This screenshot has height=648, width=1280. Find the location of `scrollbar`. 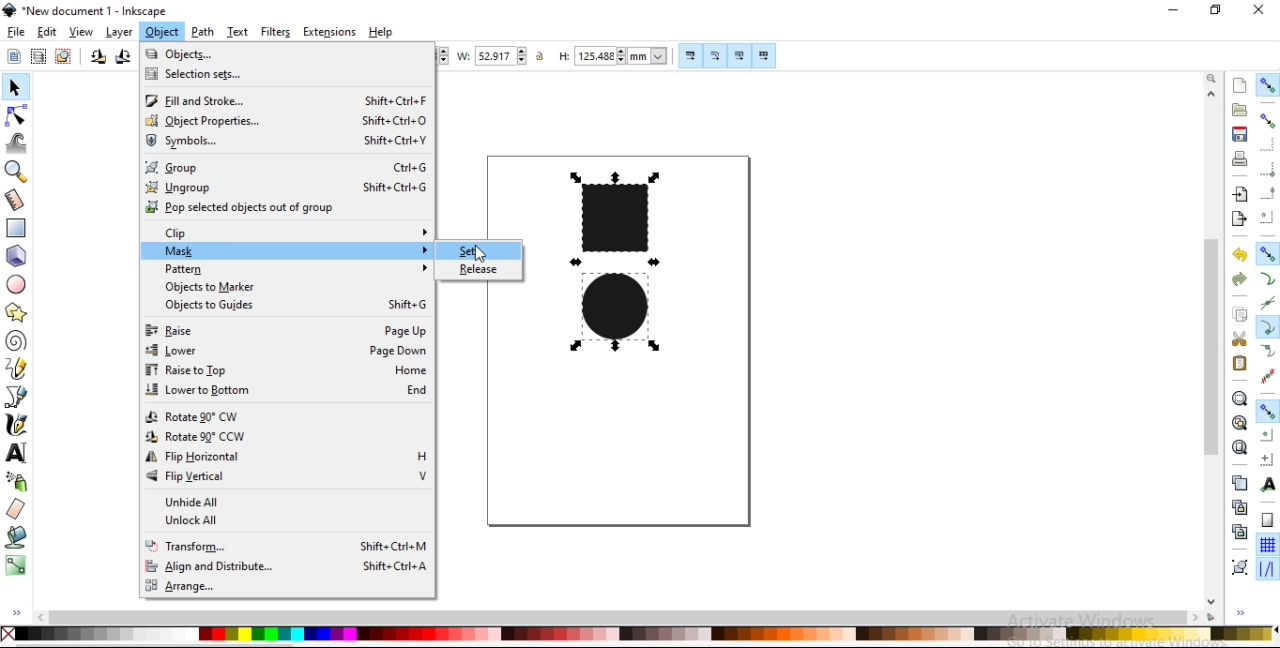

scrollbar is located at coordinates (618, 616).